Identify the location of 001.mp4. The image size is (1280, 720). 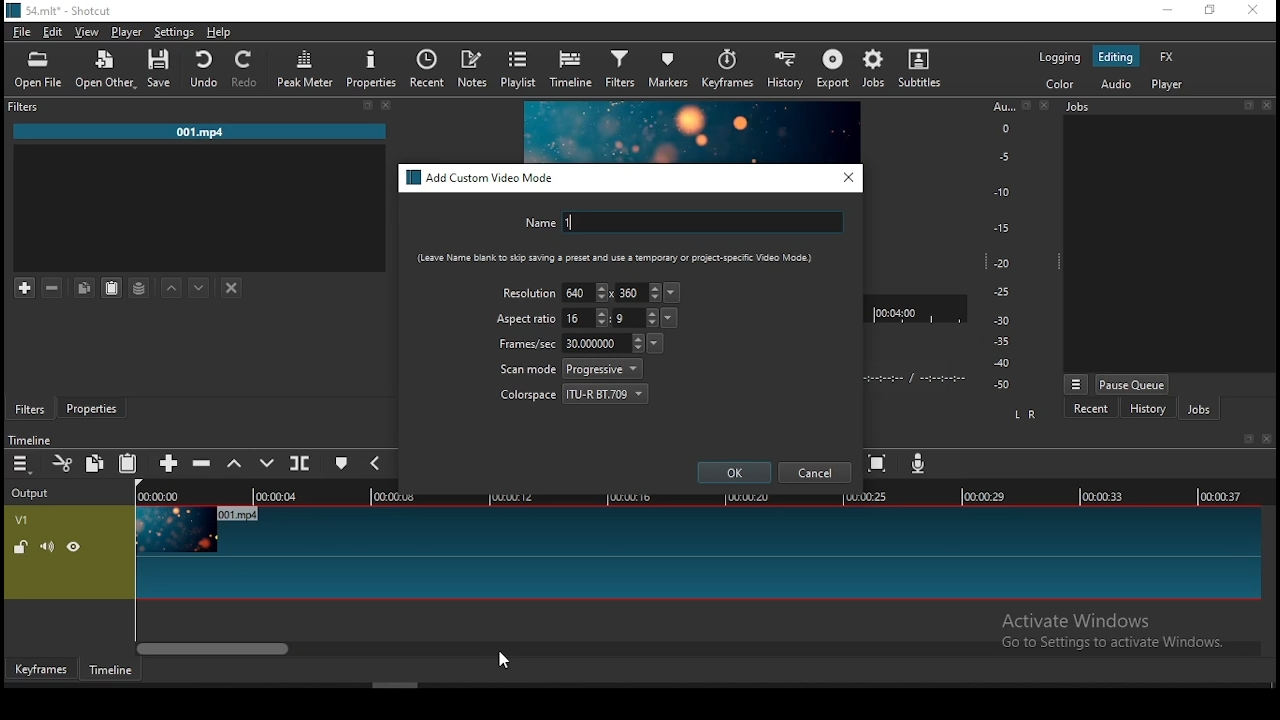
(200, 133).